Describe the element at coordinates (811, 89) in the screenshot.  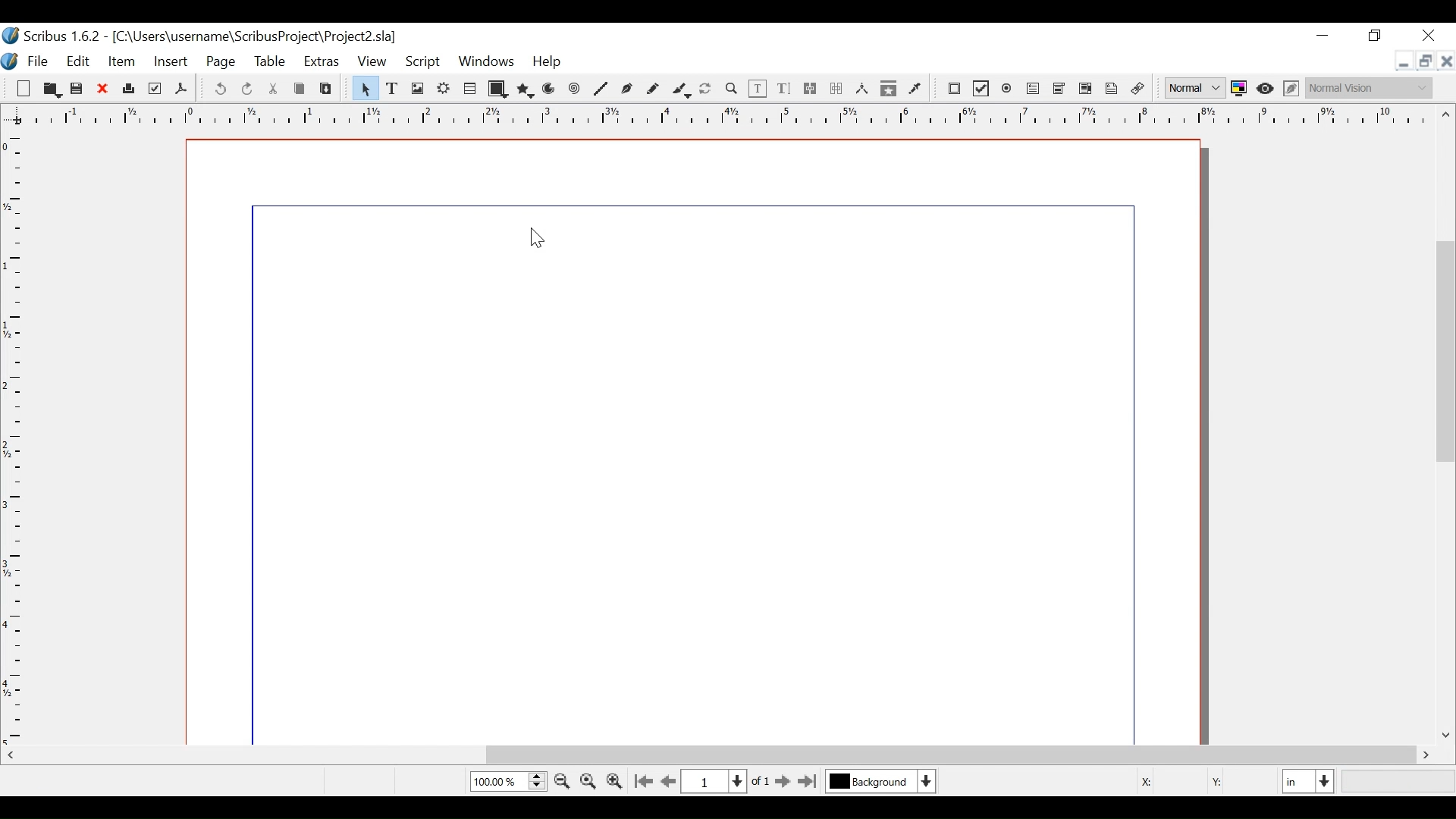
I see `link text frames` at that location.